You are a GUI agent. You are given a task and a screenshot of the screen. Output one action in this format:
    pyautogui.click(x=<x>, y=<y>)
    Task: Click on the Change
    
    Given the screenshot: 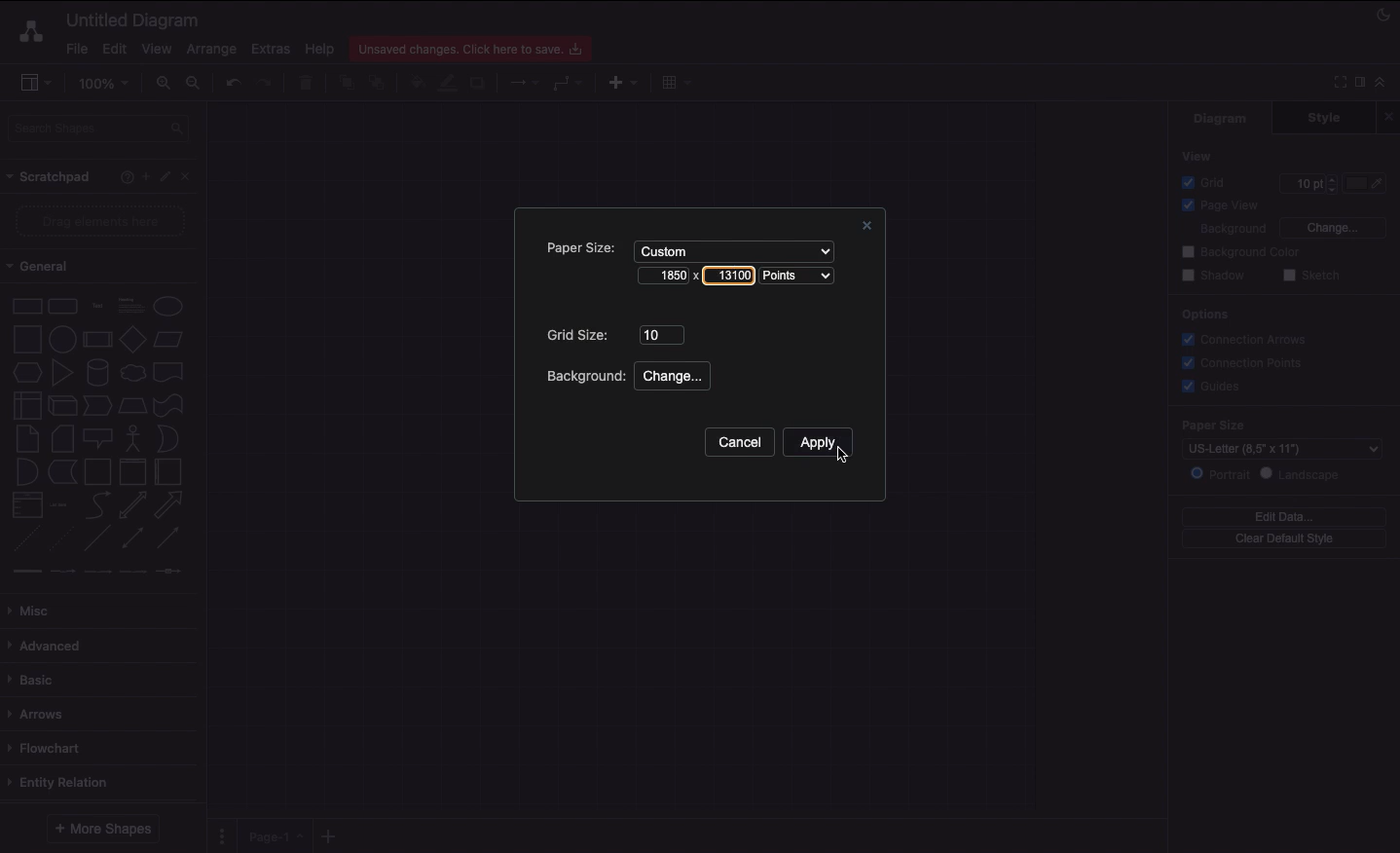 What is the action you would take?
    pyautogui.click(x=1332, y=226)
    